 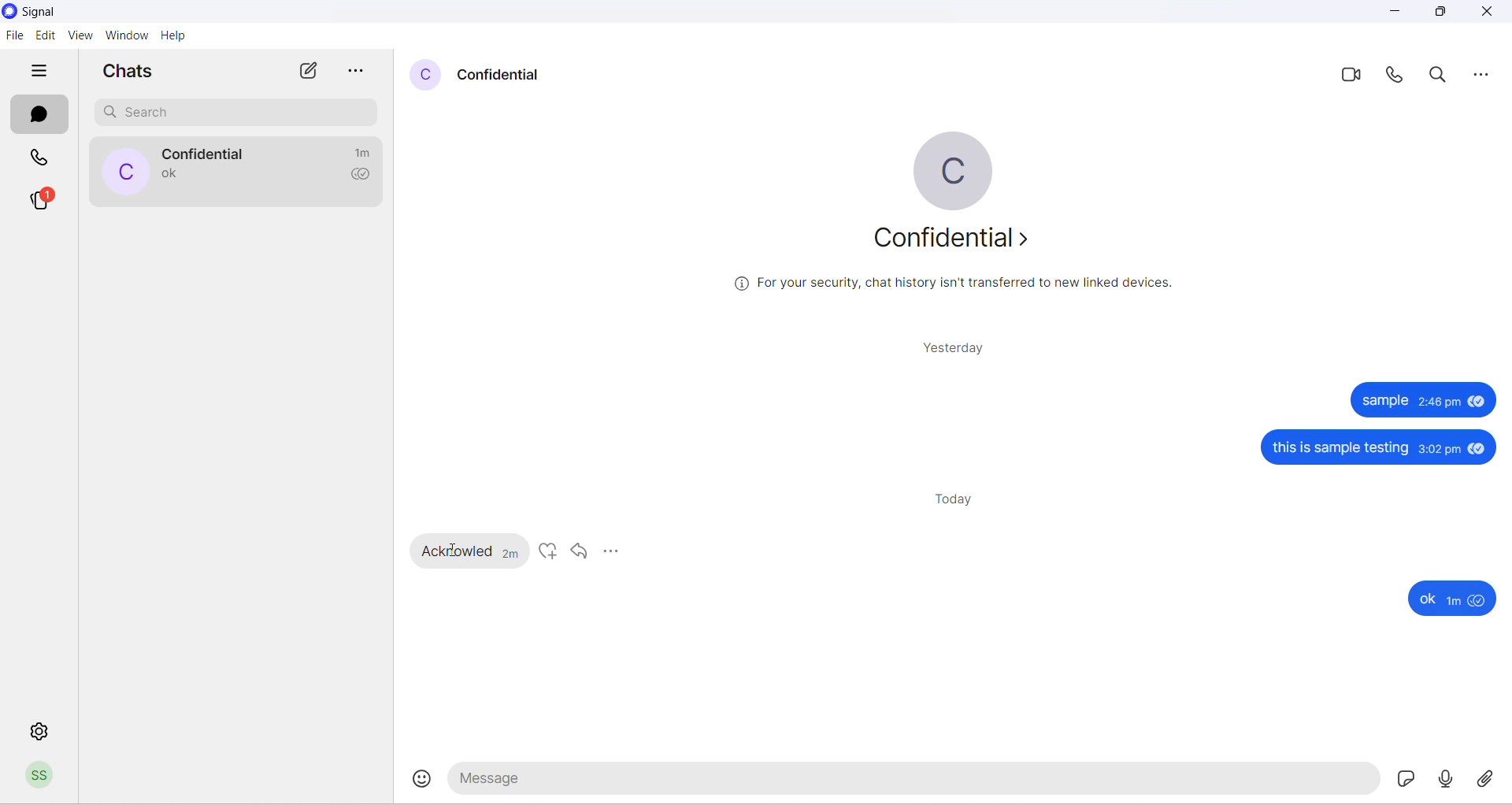 What do you see at coordinates (424, 73) in the screenshot?
I see `contact profile picture` at bounding box center [424, 73].